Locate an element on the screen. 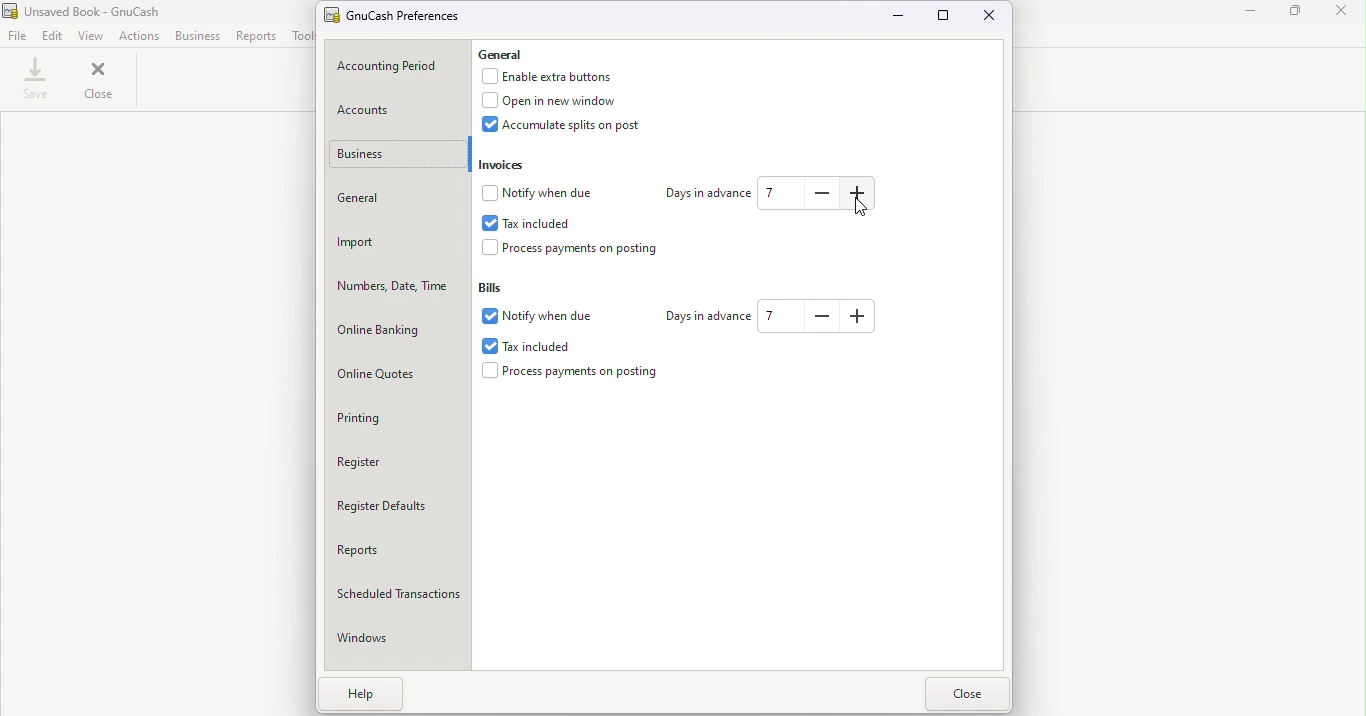 The width and height of the screenshot is (1366, 716). Invoices is located at coordinates (504, 164).